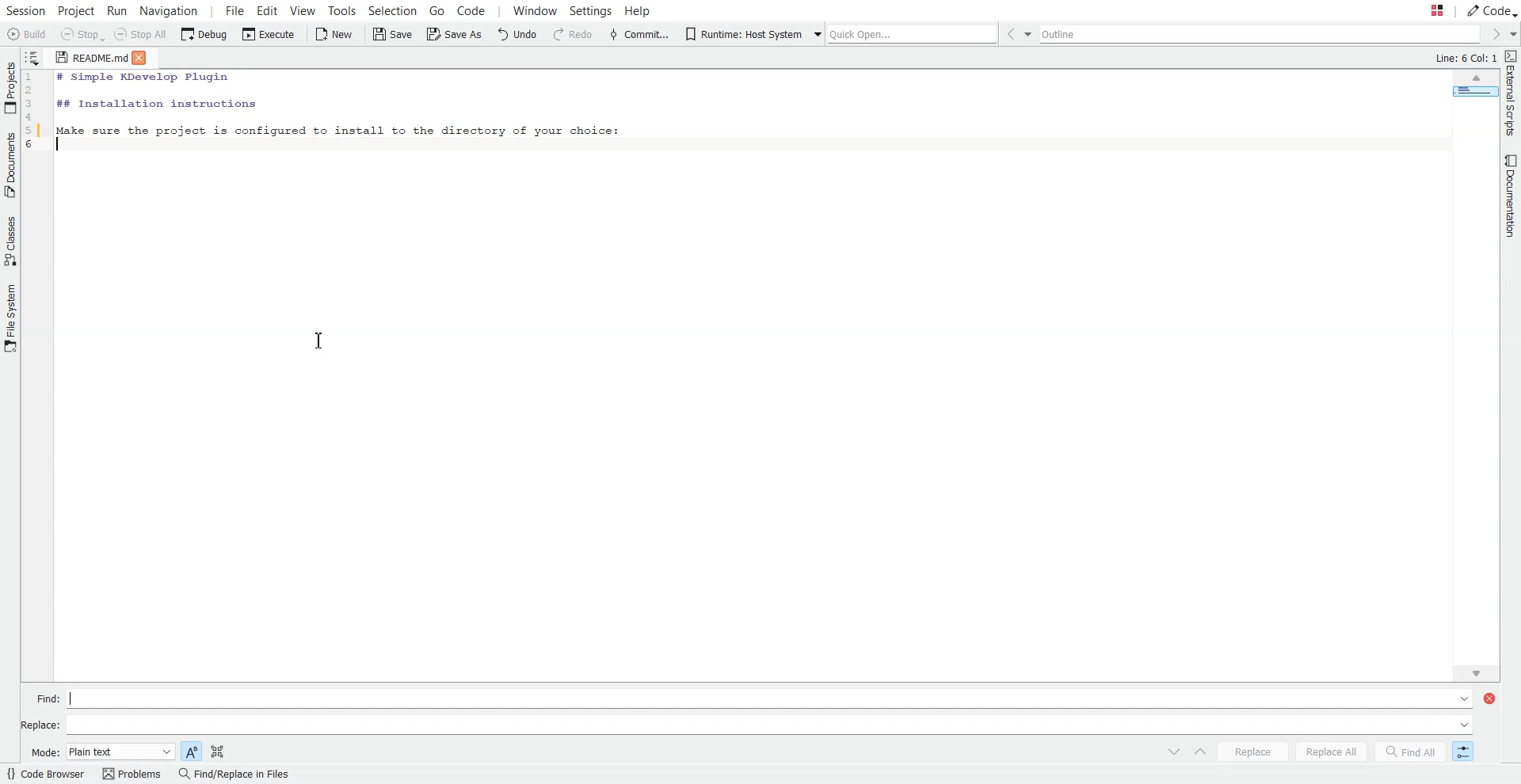 Image resolution: width=1521 pixels, height=784 pixels. Describe the element at coordinates (1463, 59) in the screenshot. I see `Line:6 Col:1` at that location.